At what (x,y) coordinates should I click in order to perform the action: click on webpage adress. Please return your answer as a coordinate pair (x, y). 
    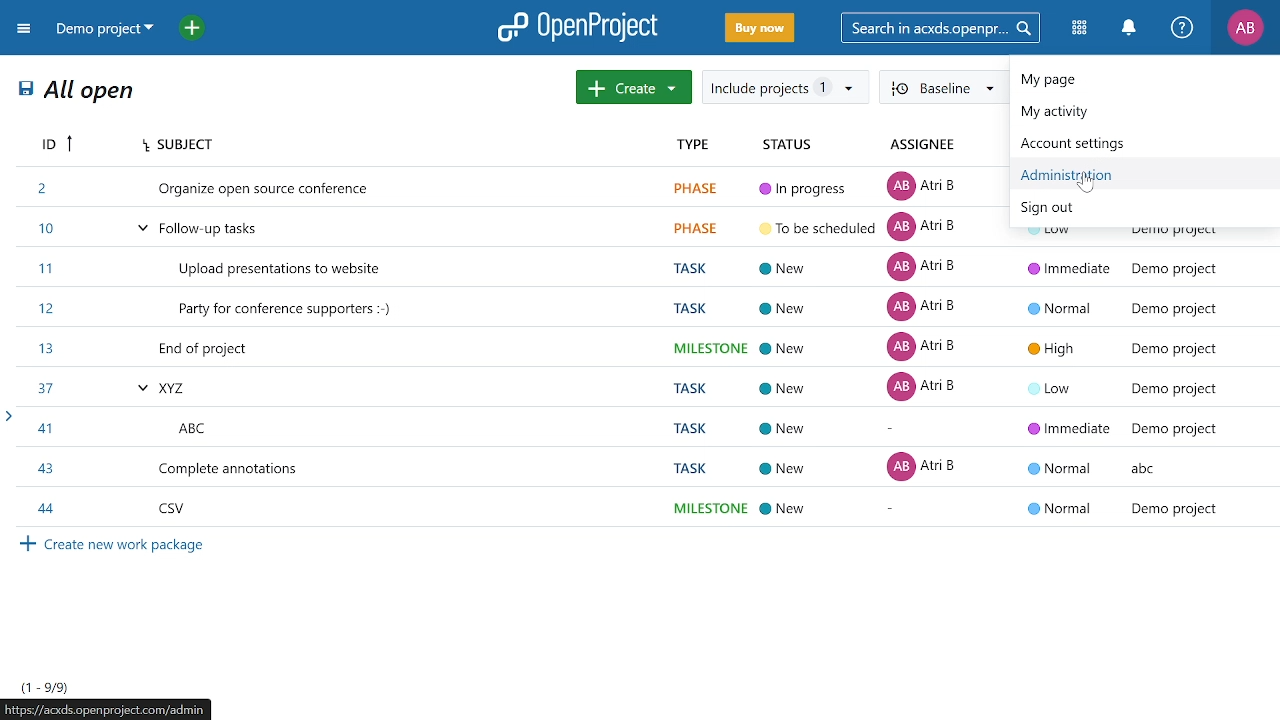
    Looking at the image, I should click on (106, 709).